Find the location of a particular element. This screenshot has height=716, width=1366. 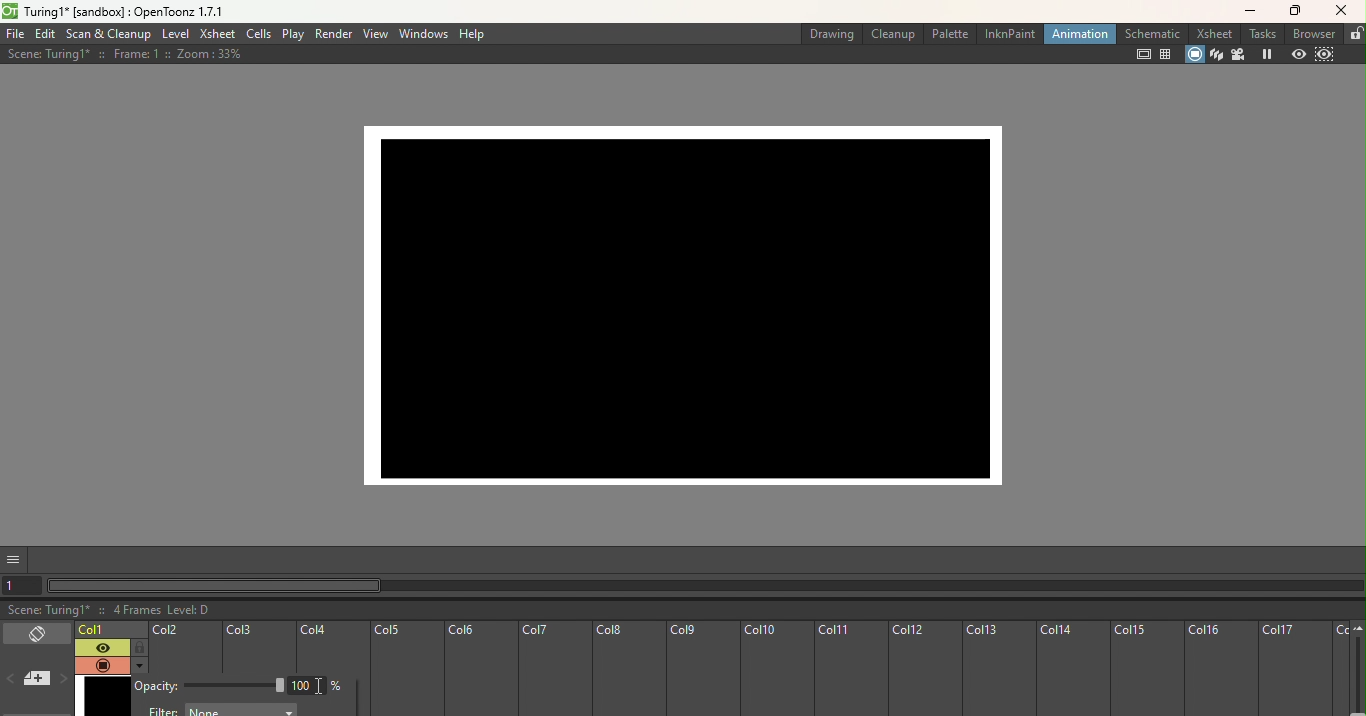

Minimize is located at coordinates (1246, 14).